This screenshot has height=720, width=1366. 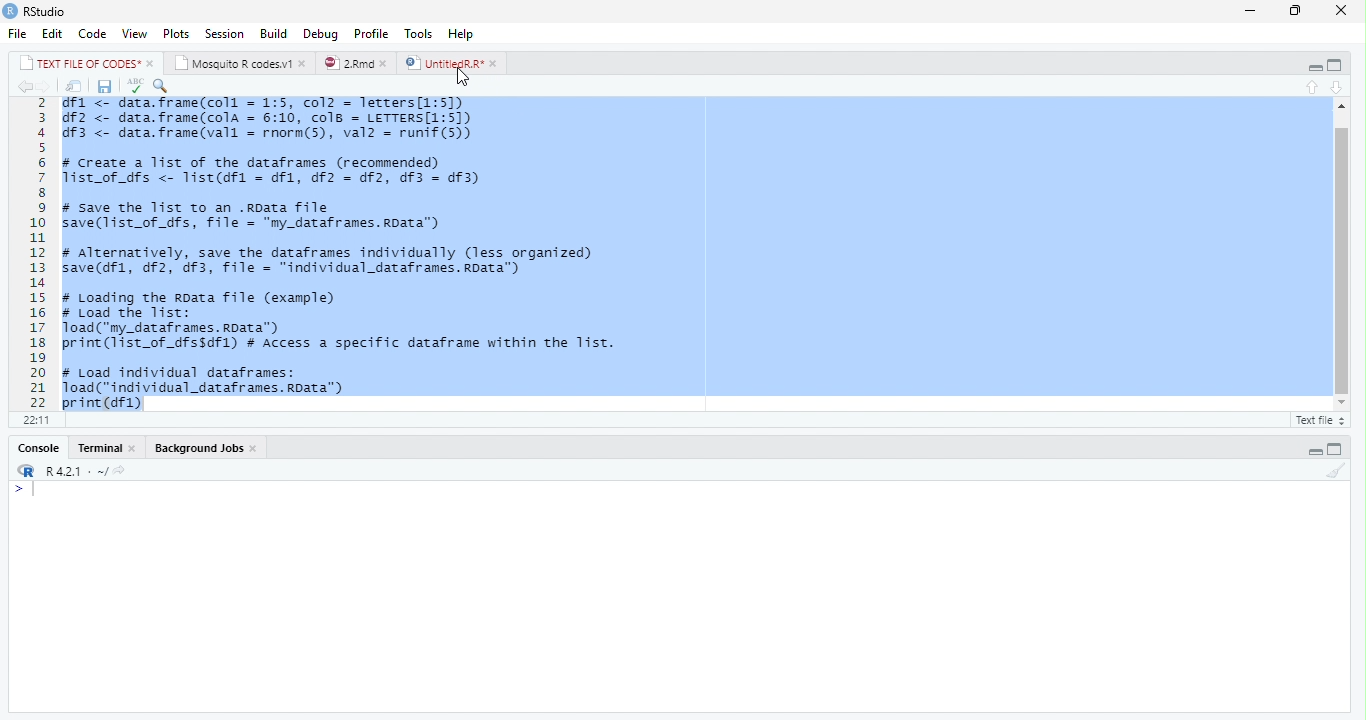 I want to click on dfl <- data.frame(coll = 1:5, col2 = Jetters[1:5])

4f2 <- data.frame(cola = 6:10, cols = LETTERS[1:5])

d4f3 <- data.frame(vall = rnorn(s), val2 = runif(5))

# create a 1ist of the dataframes (recommended)

list_of_dfs <- 1ist(dfl = dfi, df2 = df2, df3 = df3)

# save the list to an .Roata file

save(list_of dfs, file = "my_dataframes.rData")

# Alternatively, save the datafranes individually (less organized)
save(df1, df2, df3, file = "individual_dataframes.RData")

# Loading the roata file (example)

# Load the list:

Toad("my_dataframes. roata")

print(115t_of_dfssdf1) # Access a specific dataframe within the list.
# Load individual dataframes:

Toad("individual_datafranes. Roata")

print(df1)|, so click(x=355, y=253).